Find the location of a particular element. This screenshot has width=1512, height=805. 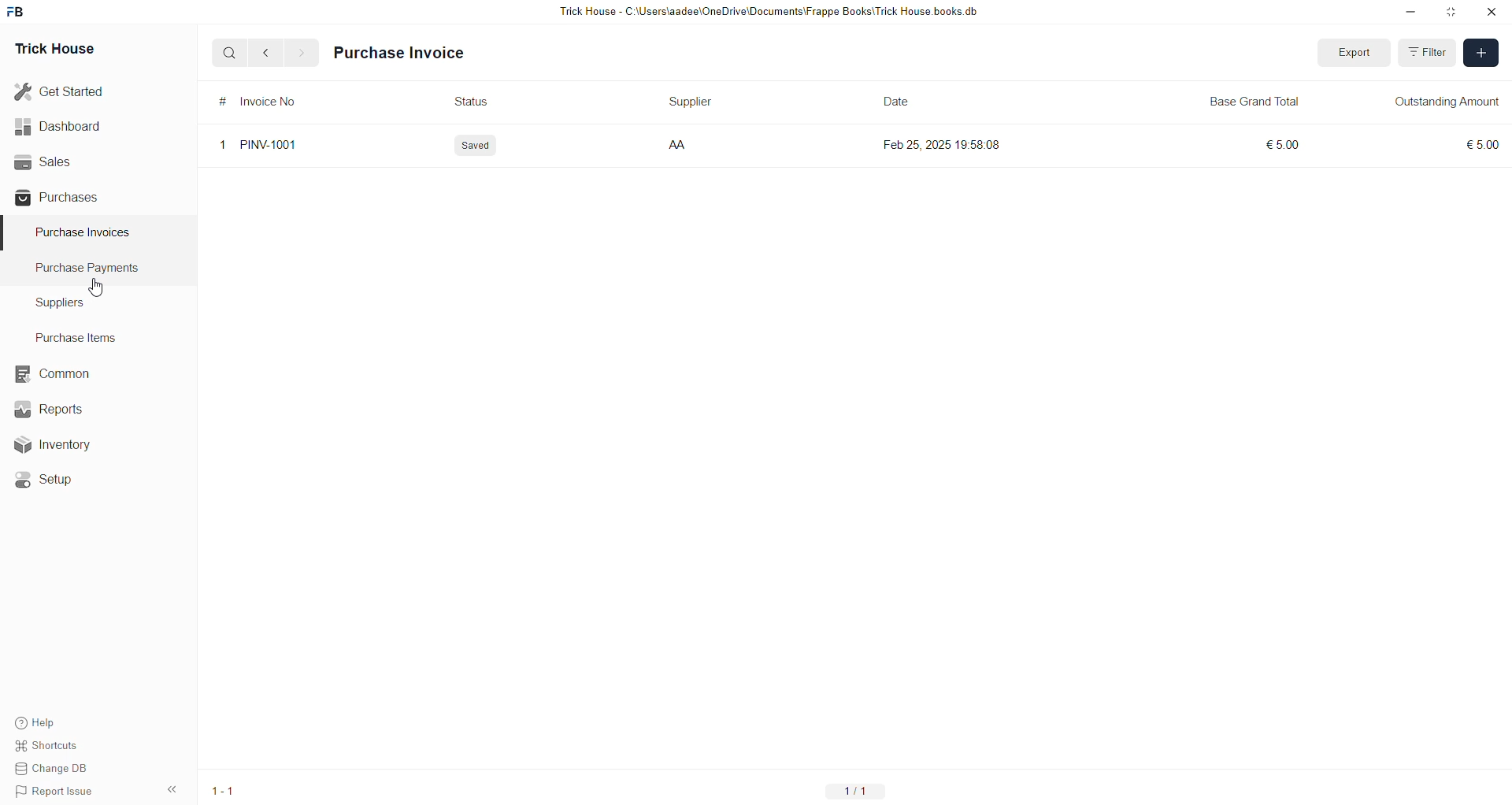

back is located at coordinates (267, 52).